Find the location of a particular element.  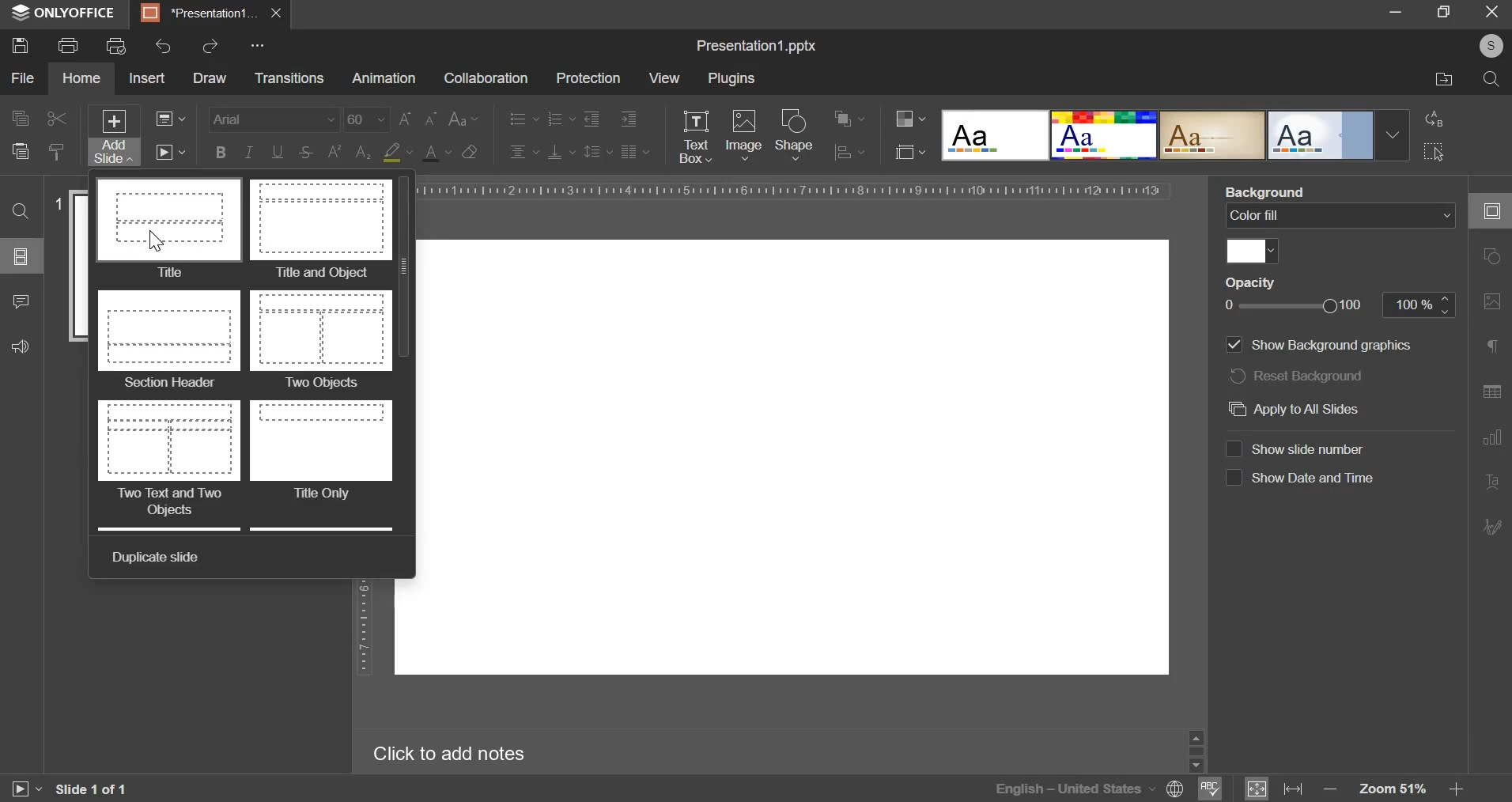

color fill is located at coordinates (1338, 216).